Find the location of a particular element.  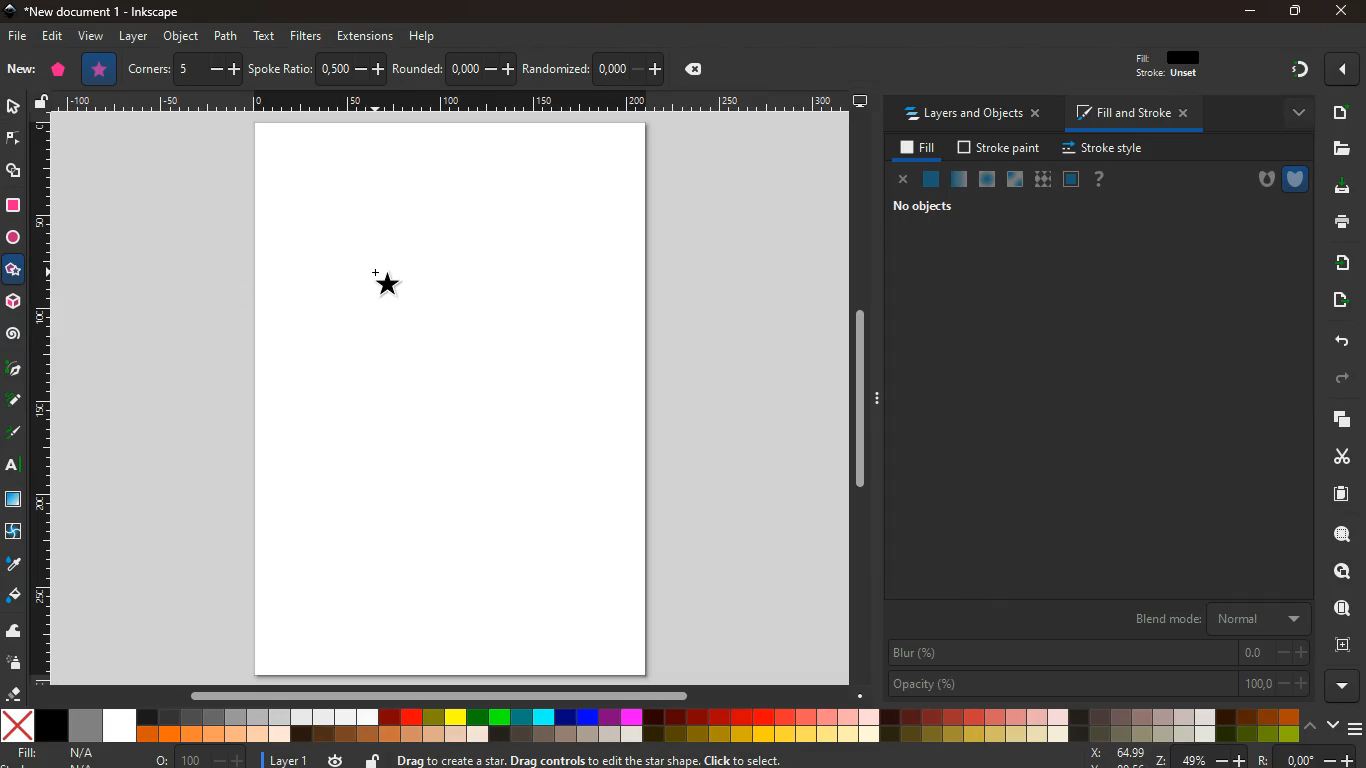

more is located at coordinates (1340, 71).